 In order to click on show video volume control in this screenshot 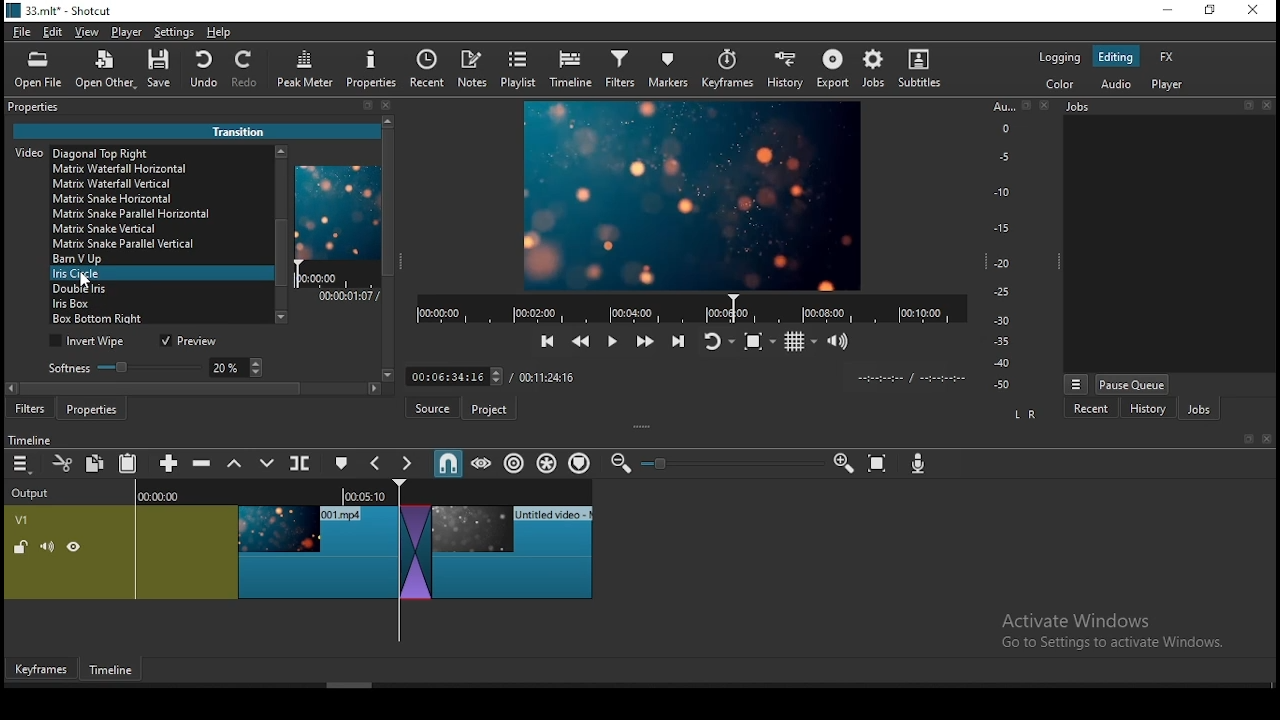, I will do `click(839, 335)`.